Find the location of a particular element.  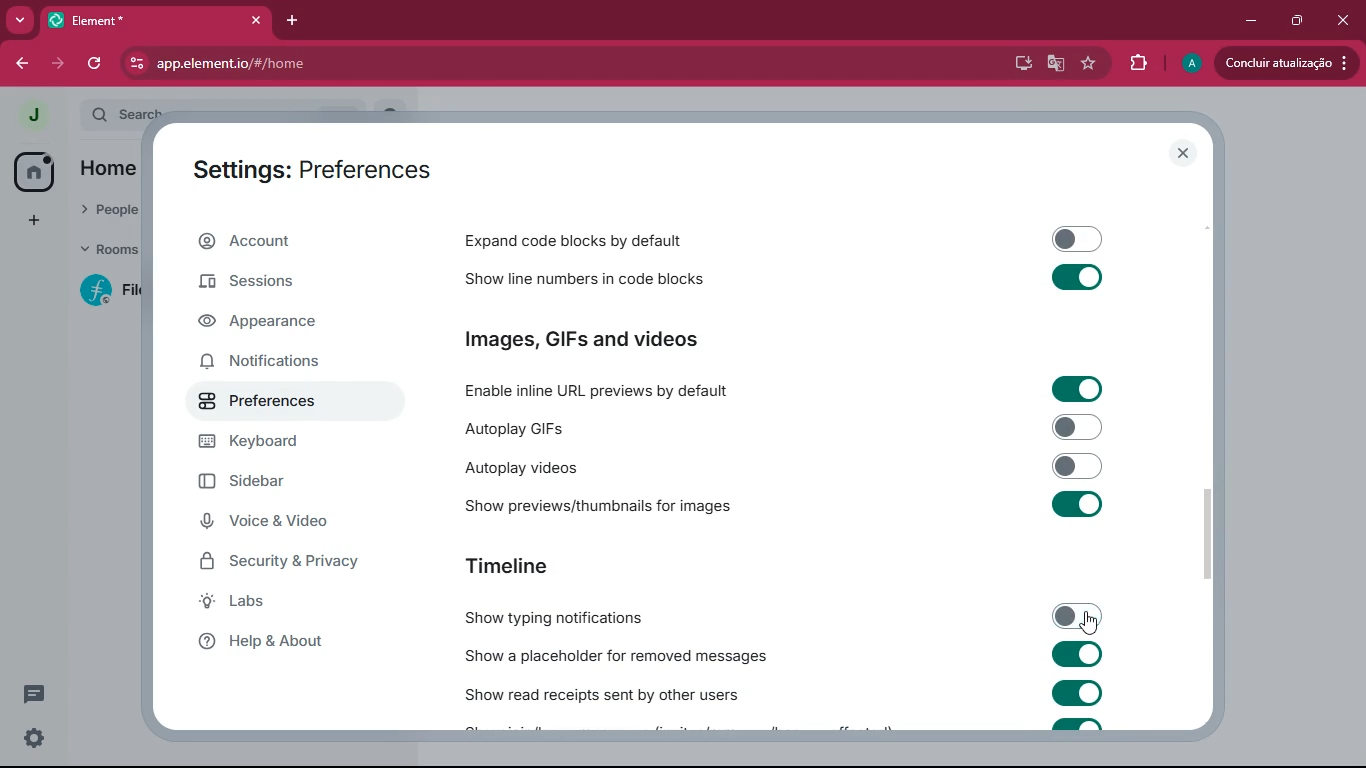

preferences is located at coordinates (277, 403).